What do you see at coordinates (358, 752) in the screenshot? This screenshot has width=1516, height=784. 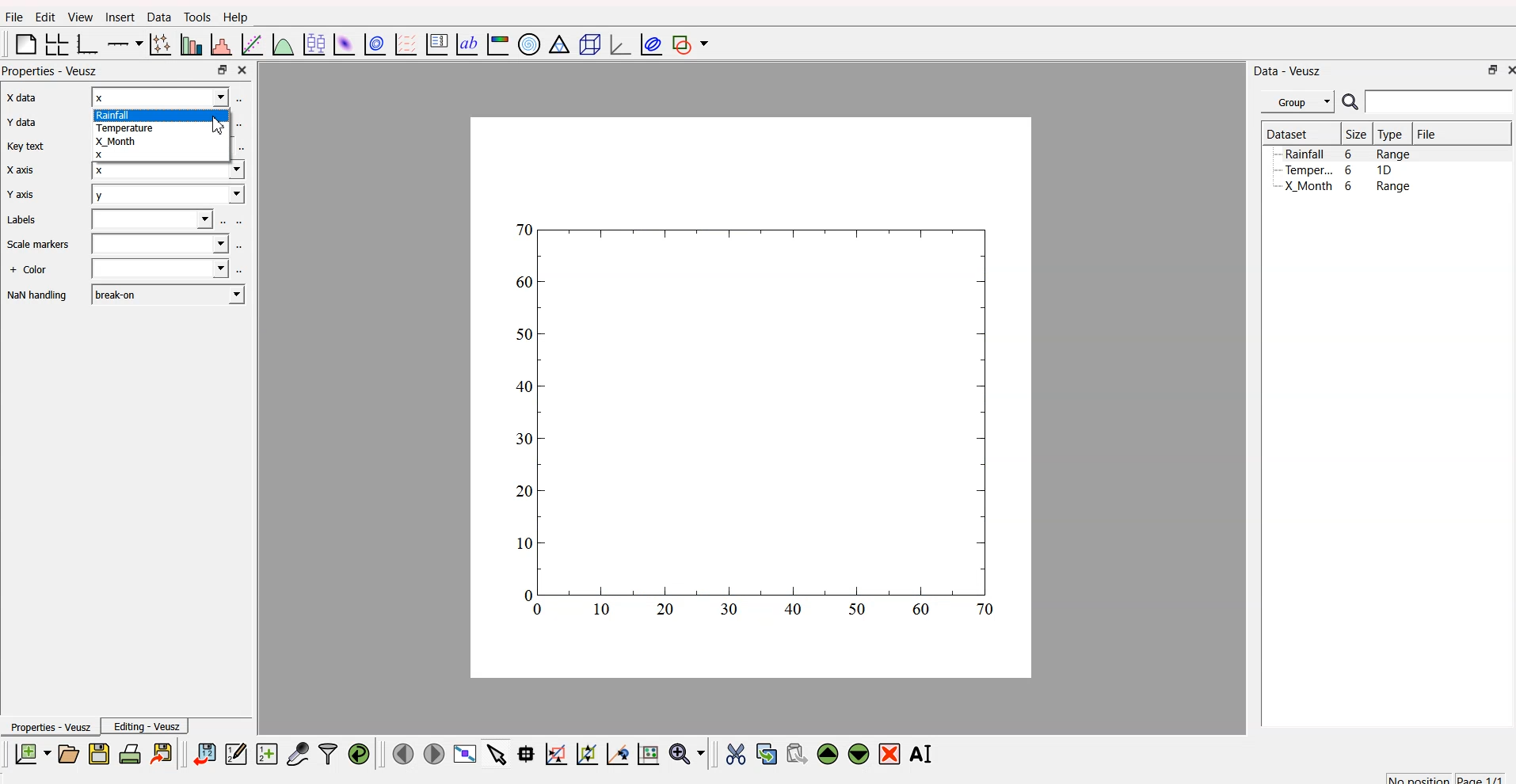 I see `reload linked dataset` at bounding box center [358, 752].